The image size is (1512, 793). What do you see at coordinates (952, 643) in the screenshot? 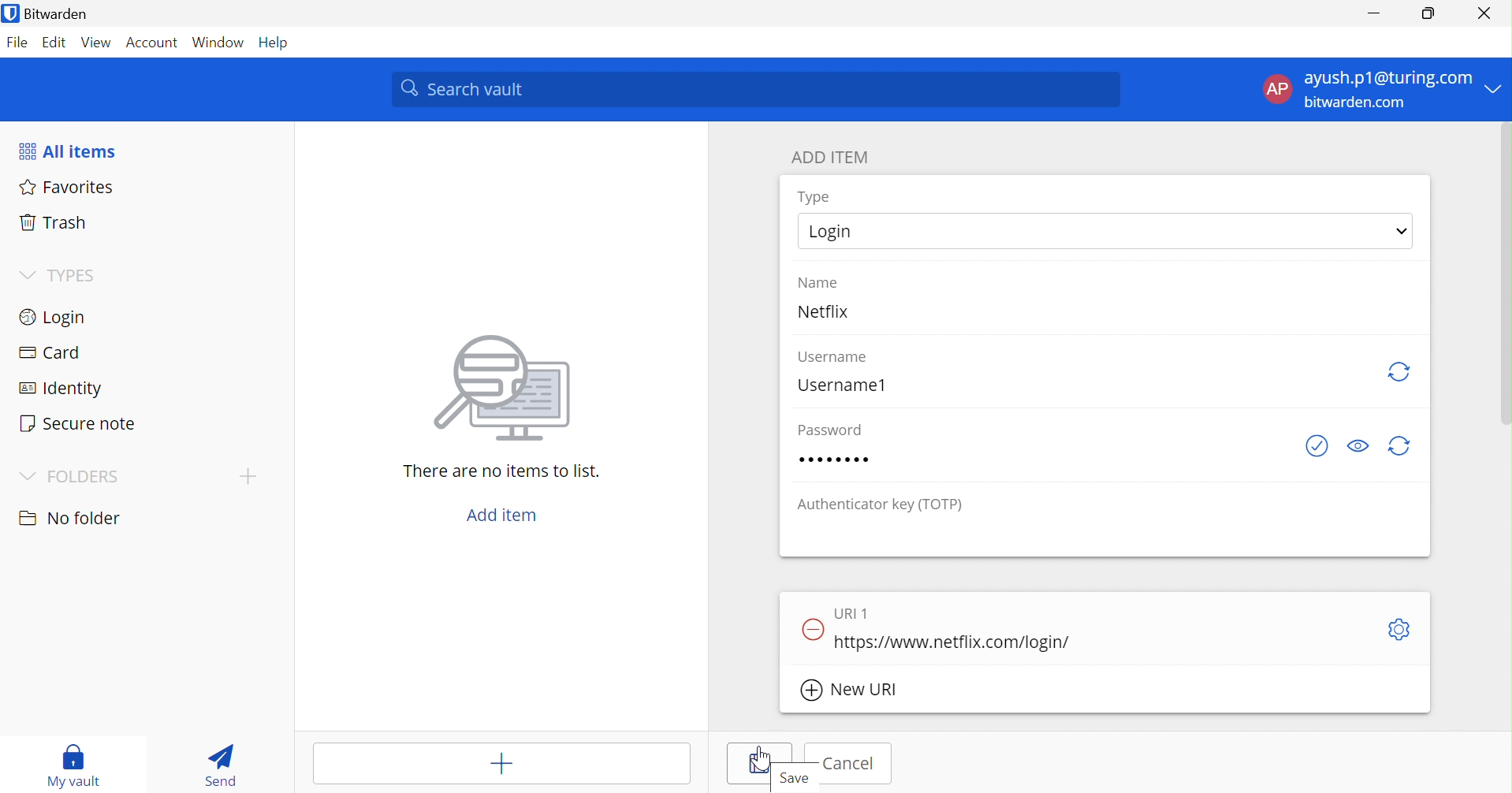
I see `https://www.netflix.com/login/` at bounding box center [952, 643].